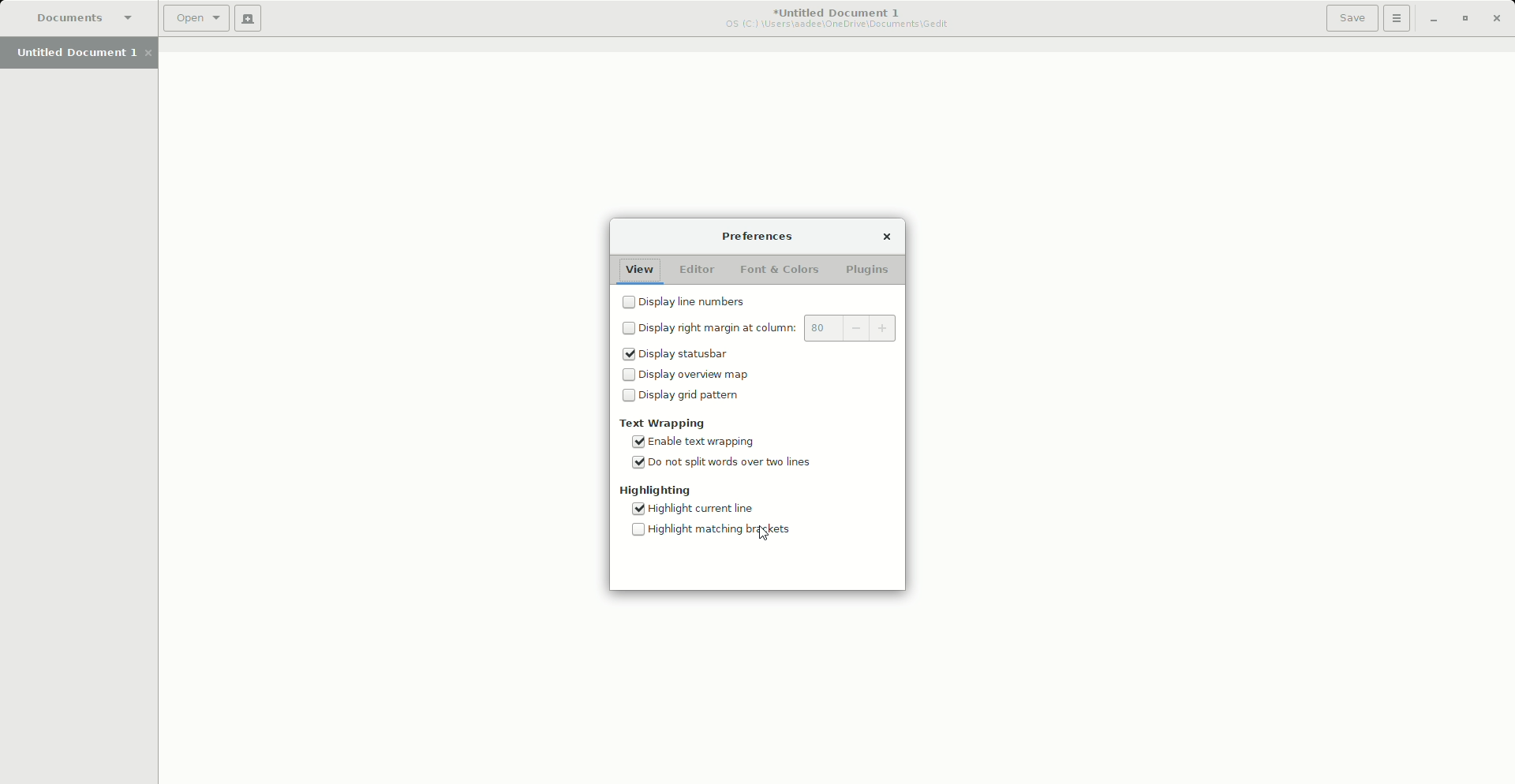 This screenshot has width=1515, height=784. Describe the element at coordinates (781, 271) in the screenshot. I see `Fond and Colors` at that location.